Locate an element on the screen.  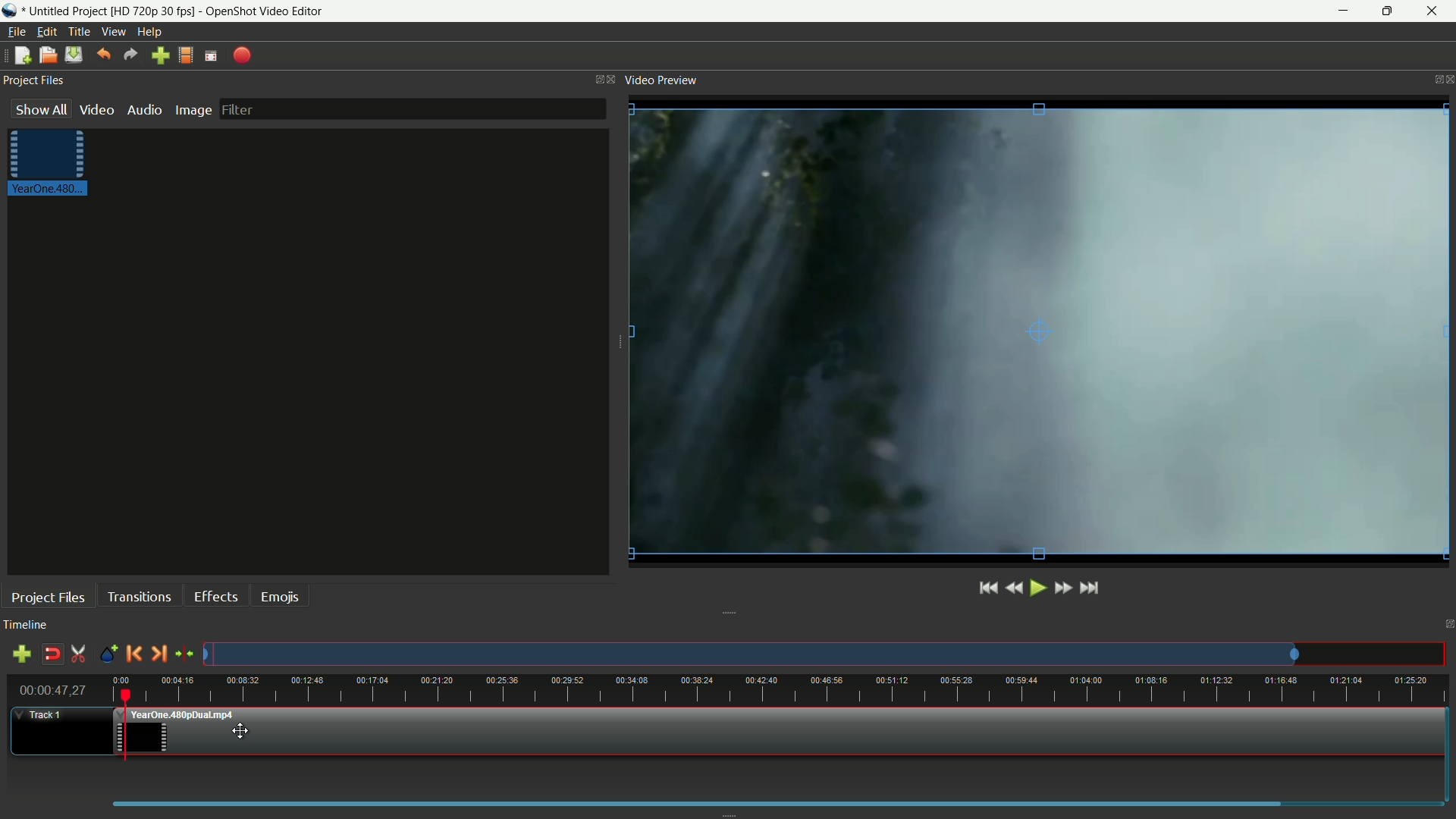
project files is located at coordinates (49, 598).